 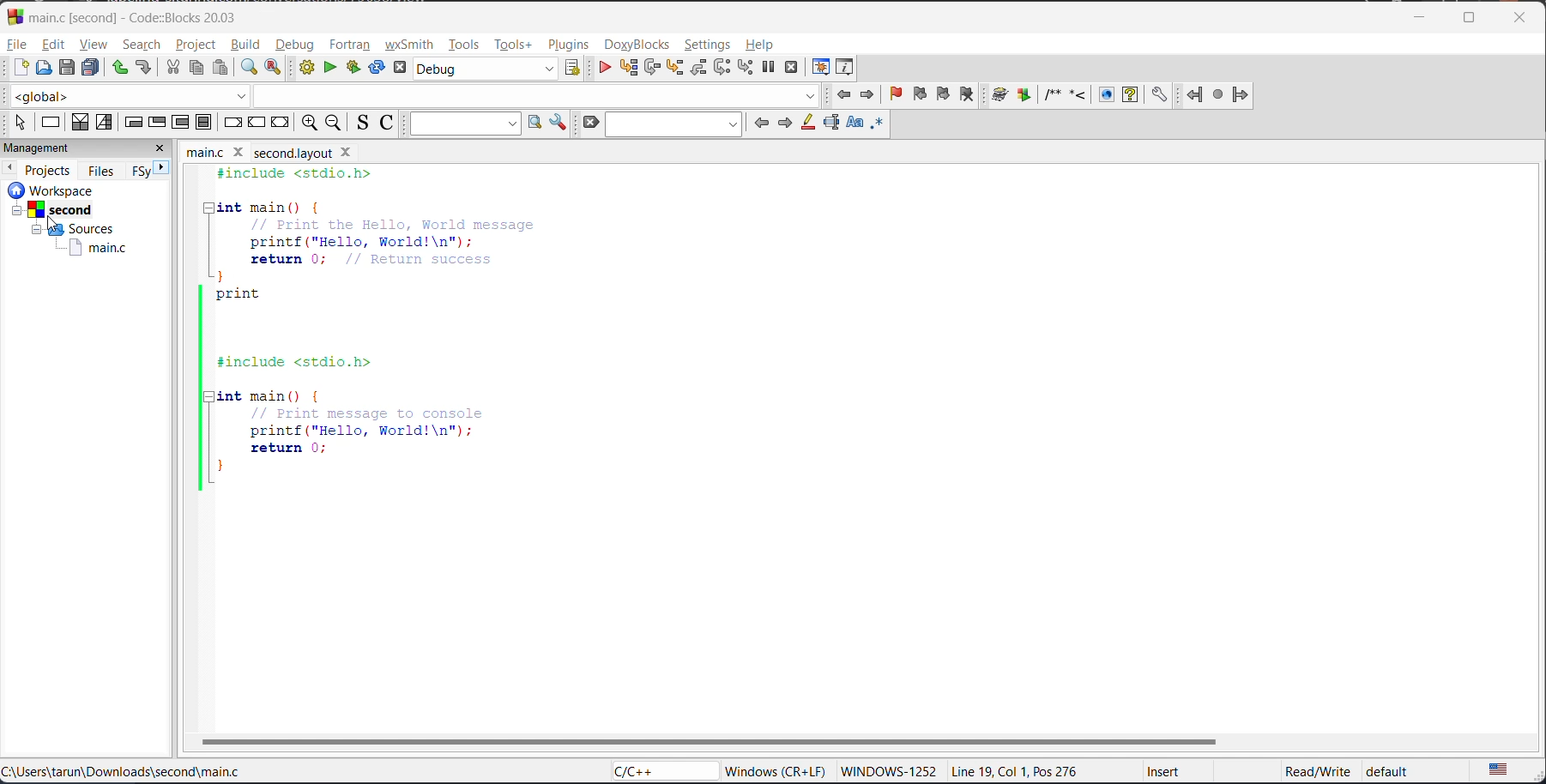 What do you see at coordinates (297, 45) in the screenshot?
I see `debug` at bounding box center [297, 45].